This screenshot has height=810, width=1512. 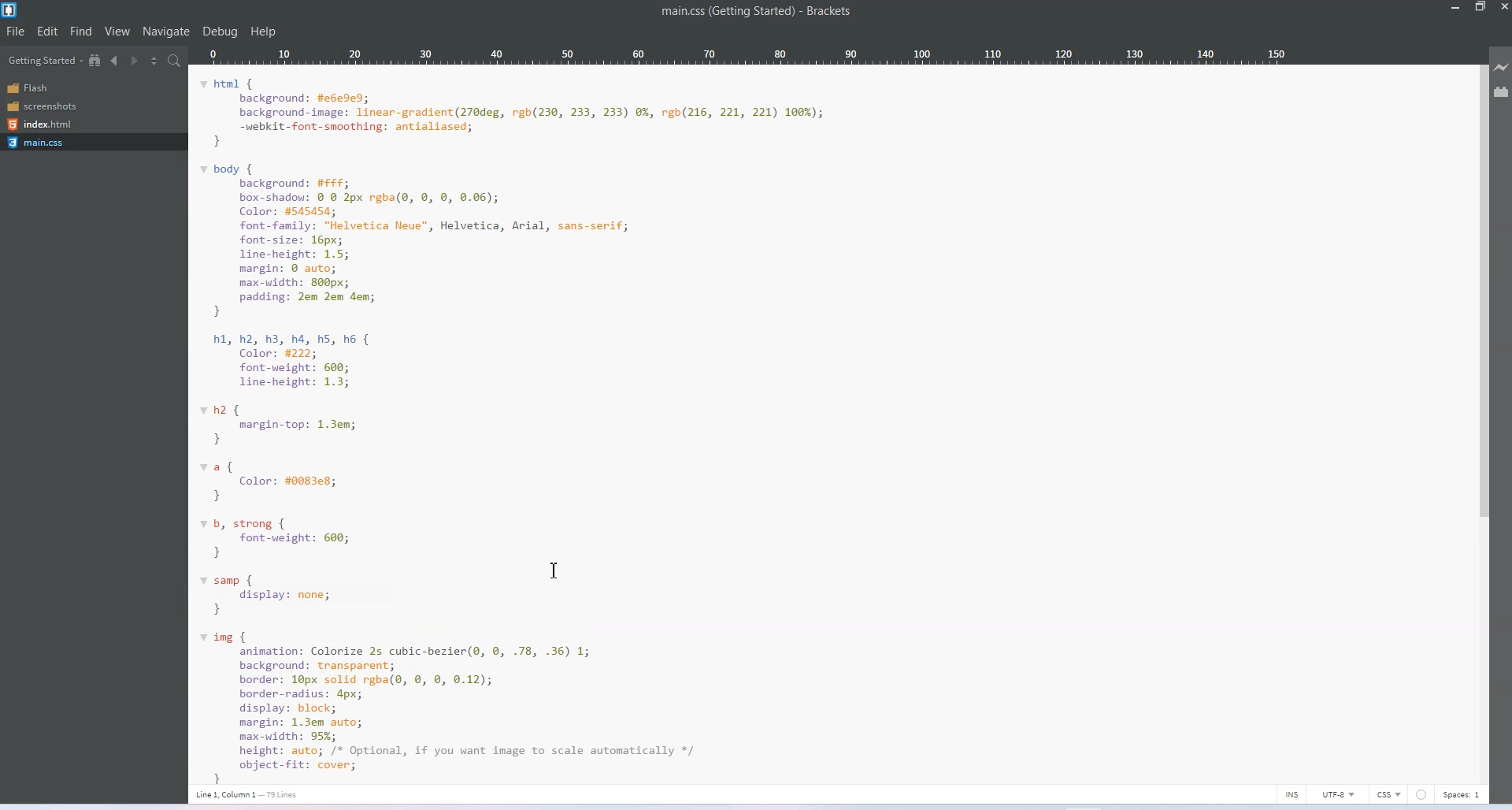 What do you see at coordinates (116, 61) in the screenshot?
I see `Navigate Backwards` at bounding box center [116, 61].